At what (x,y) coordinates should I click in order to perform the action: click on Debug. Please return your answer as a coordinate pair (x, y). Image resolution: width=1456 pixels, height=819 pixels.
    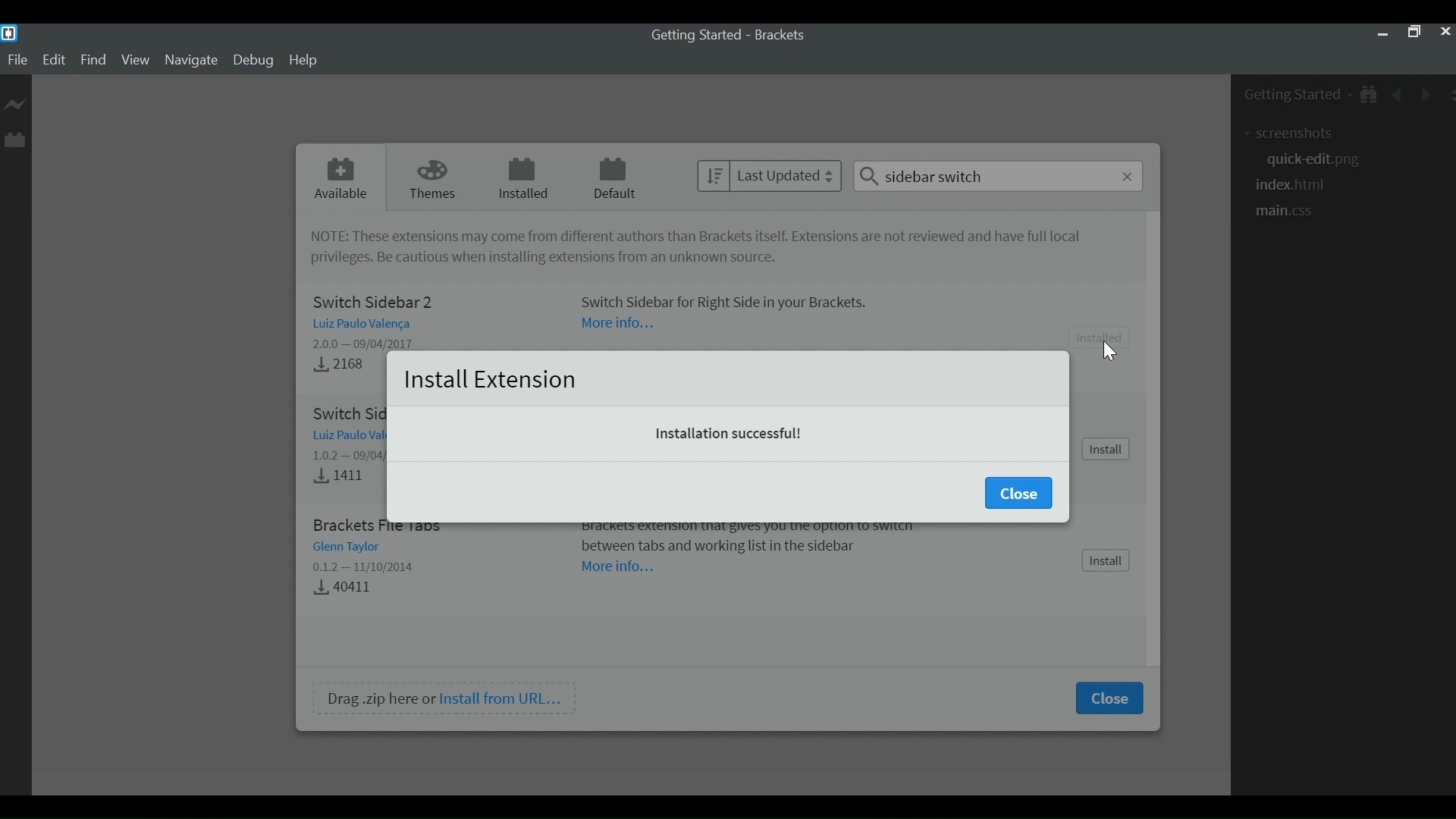
    Looking at the image, I should click on (256, 61).